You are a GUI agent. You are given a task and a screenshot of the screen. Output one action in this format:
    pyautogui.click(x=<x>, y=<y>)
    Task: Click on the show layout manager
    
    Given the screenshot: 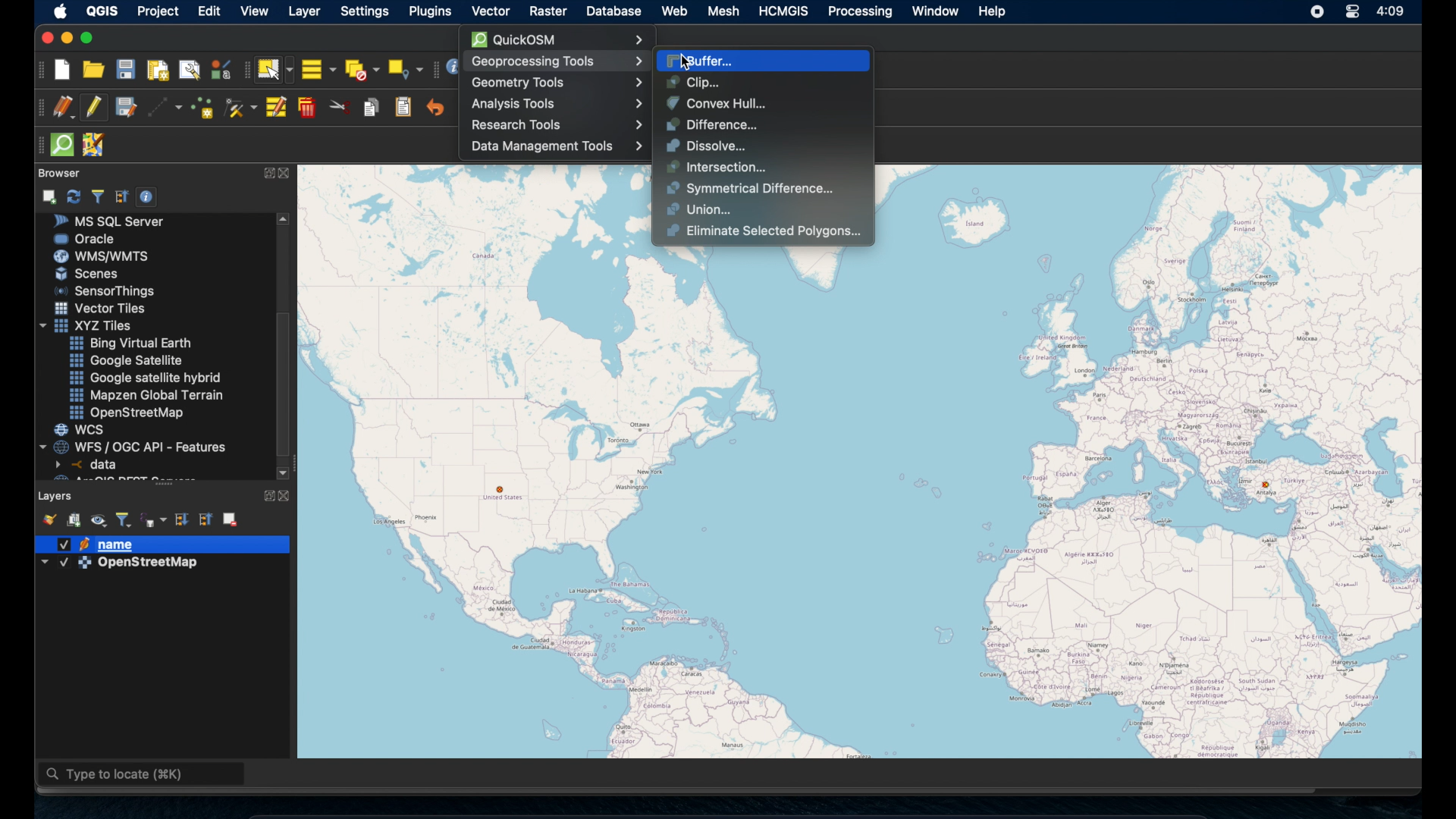 What is the action you would take?
    pyautogui.click(x=192, y=71)
    